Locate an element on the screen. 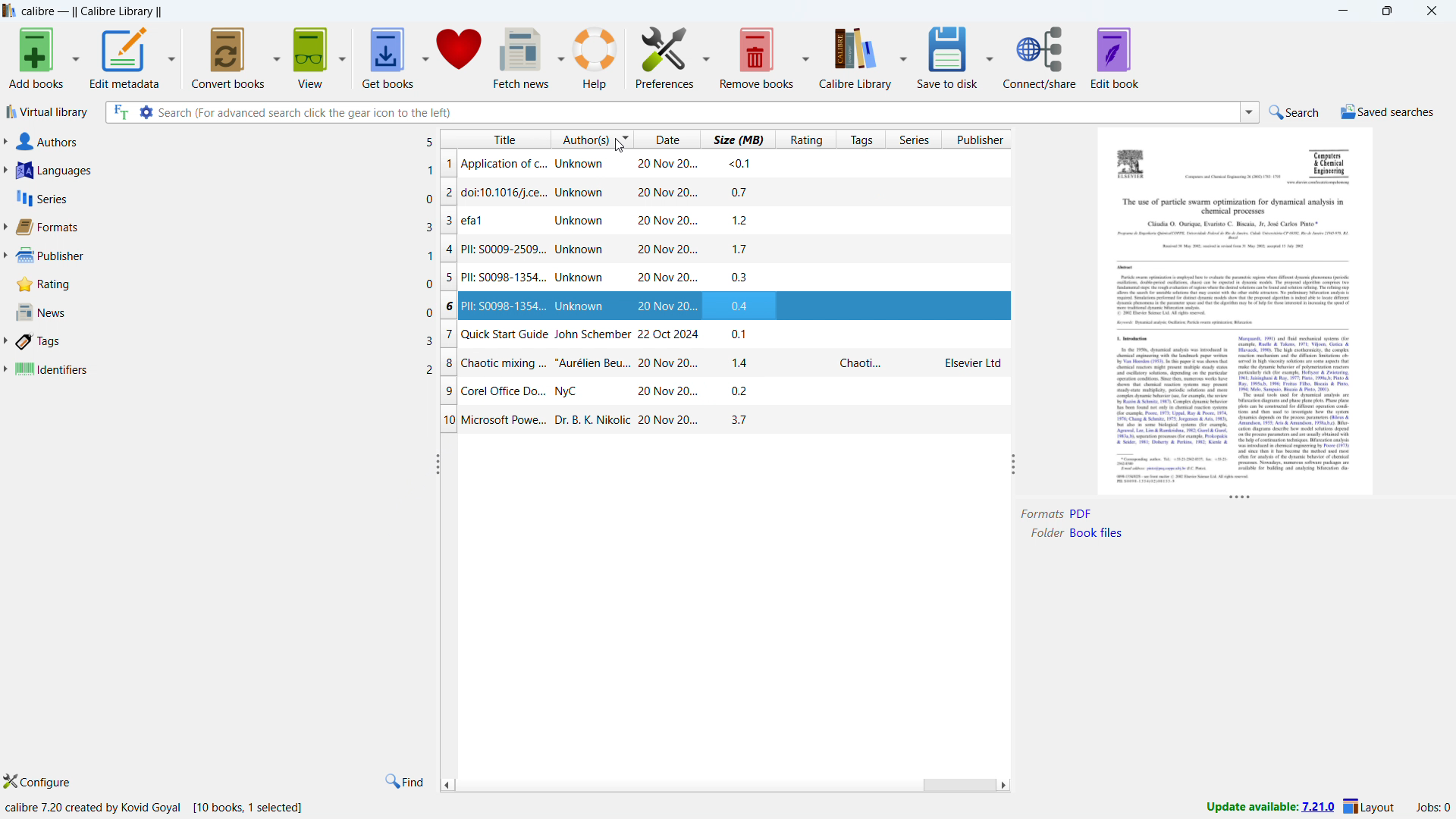 The width and height of the screenshot is (1456, 819). 8 is located at coordinates (450, 364).